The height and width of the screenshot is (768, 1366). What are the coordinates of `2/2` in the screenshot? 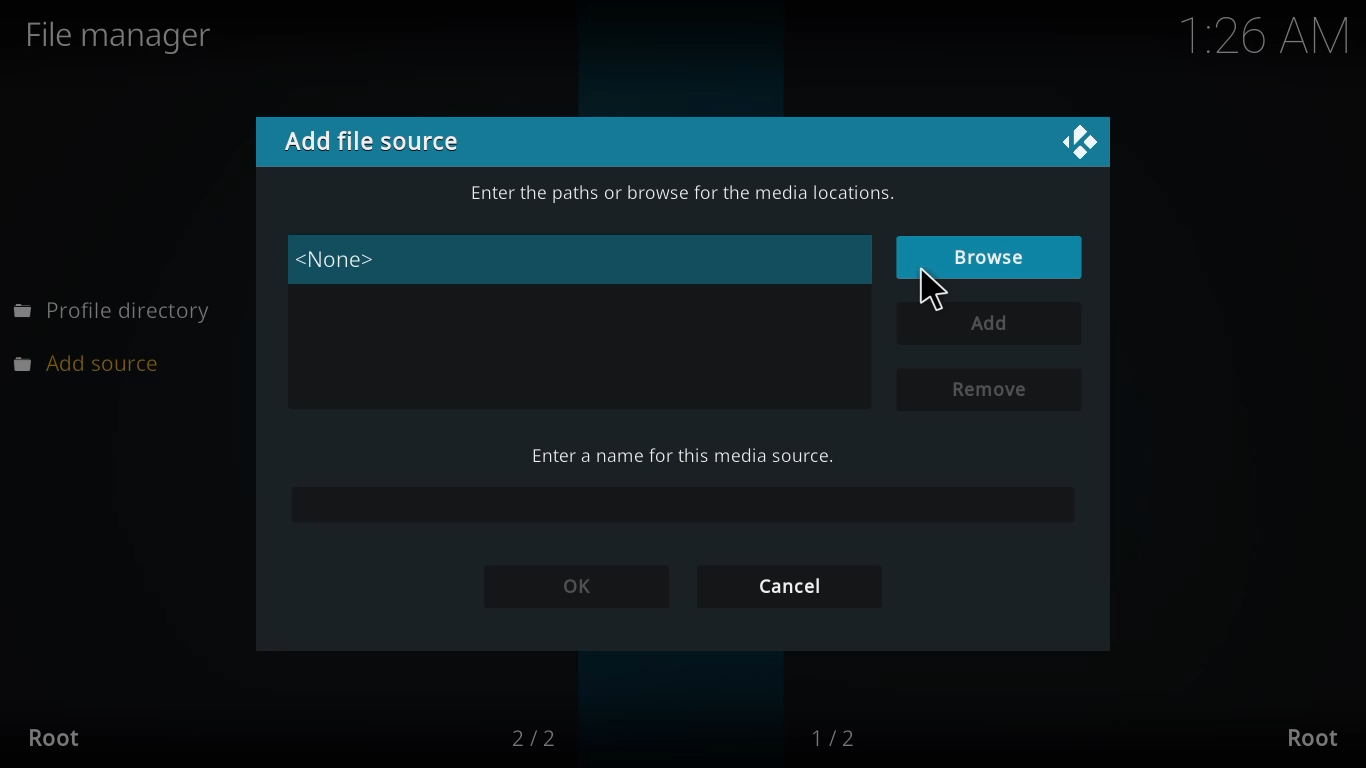 It's located at (537, 738).